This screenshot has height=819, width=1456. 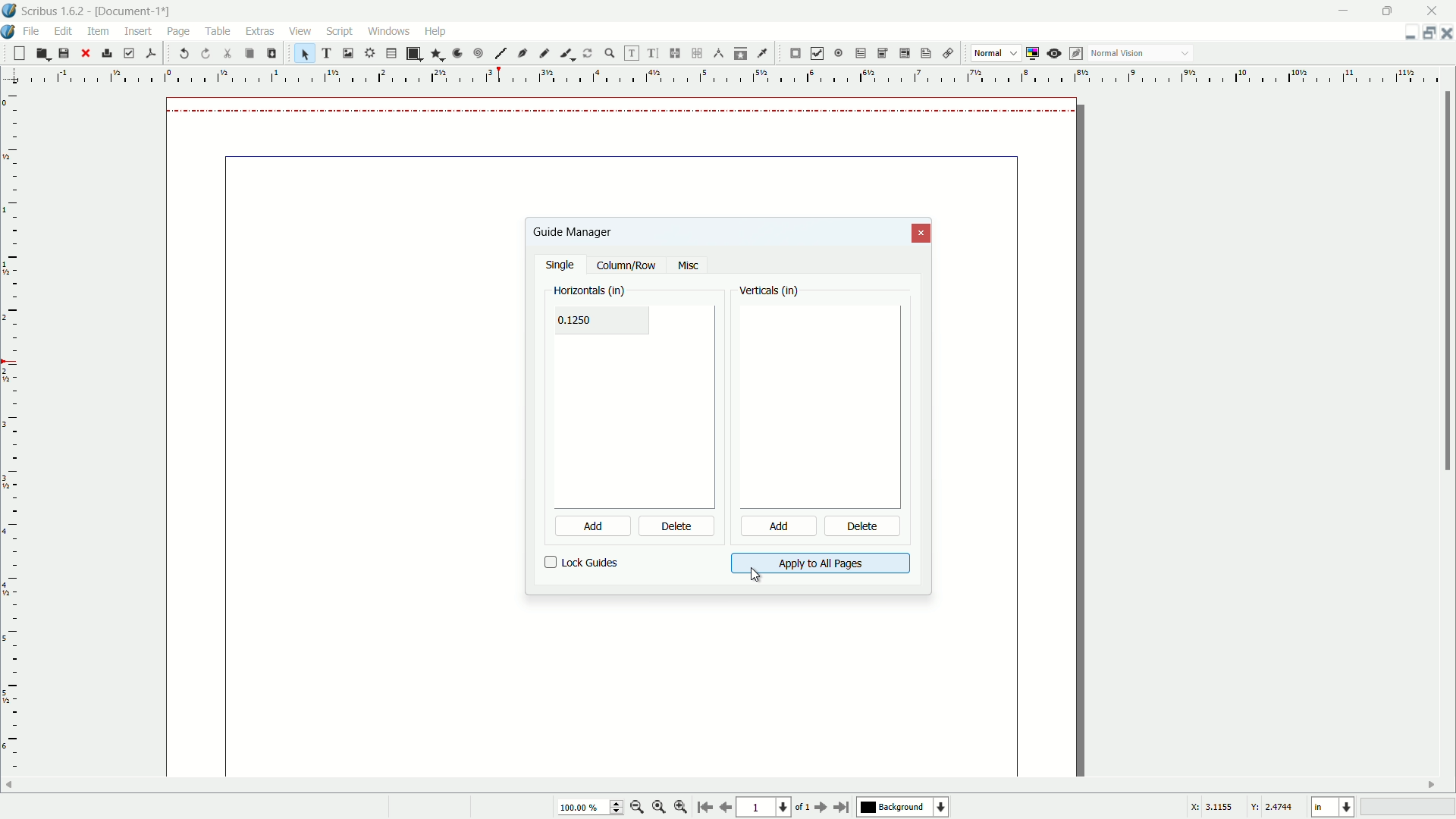 What do you see at coordinates (1426, 33) in the screenshot?
I see `change layout` at bounding box center [1426, 33].